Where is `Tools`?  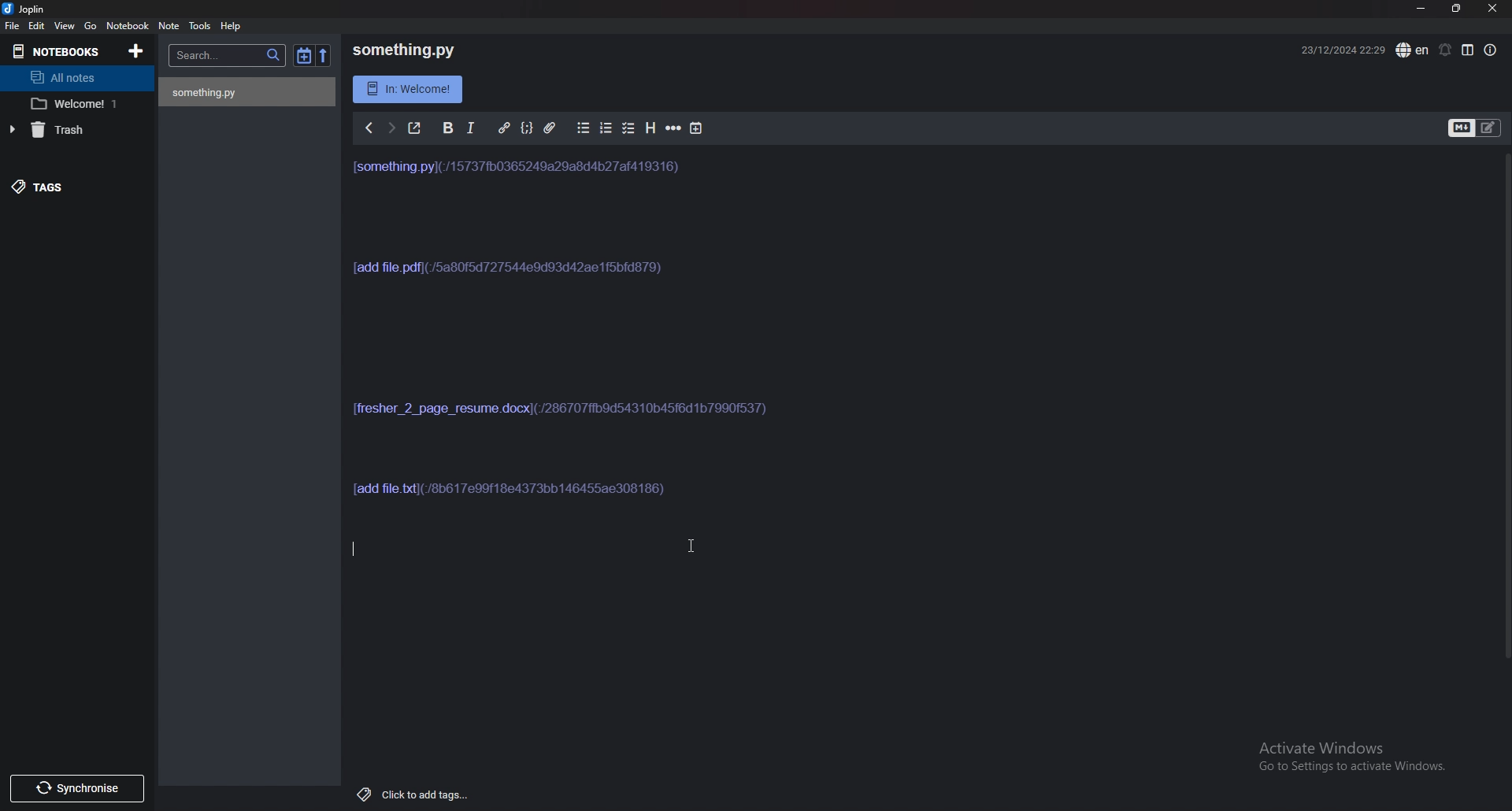
Tools is located at coordinates (200, 26).